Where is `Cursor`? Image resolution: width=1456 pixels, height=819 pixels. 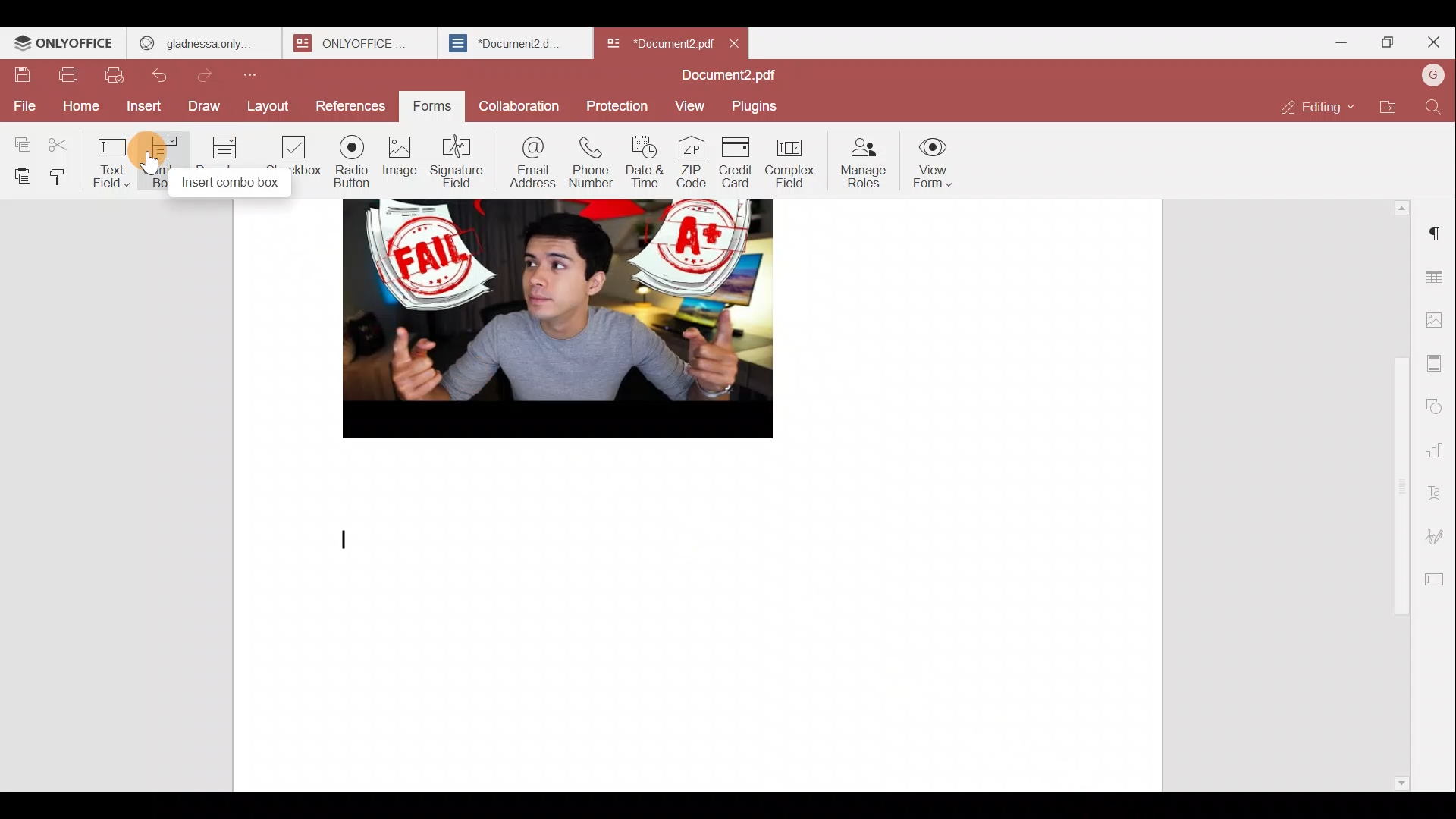
Cursor is located at coordinates (155, 164).